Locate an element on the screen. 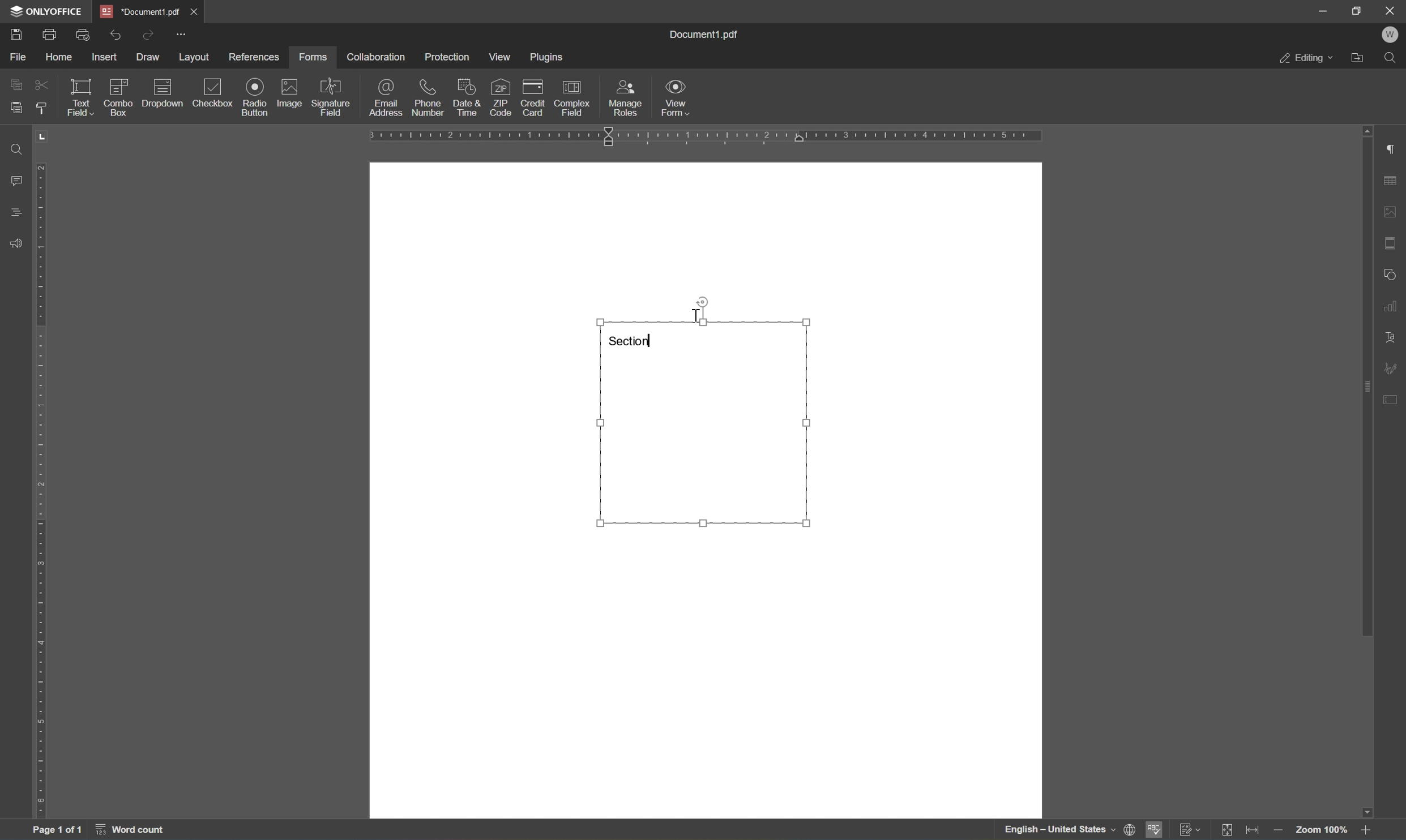 The height and width of the screenshot is (840, 1406). paragraph settings is located at coordinates (1394, 150).